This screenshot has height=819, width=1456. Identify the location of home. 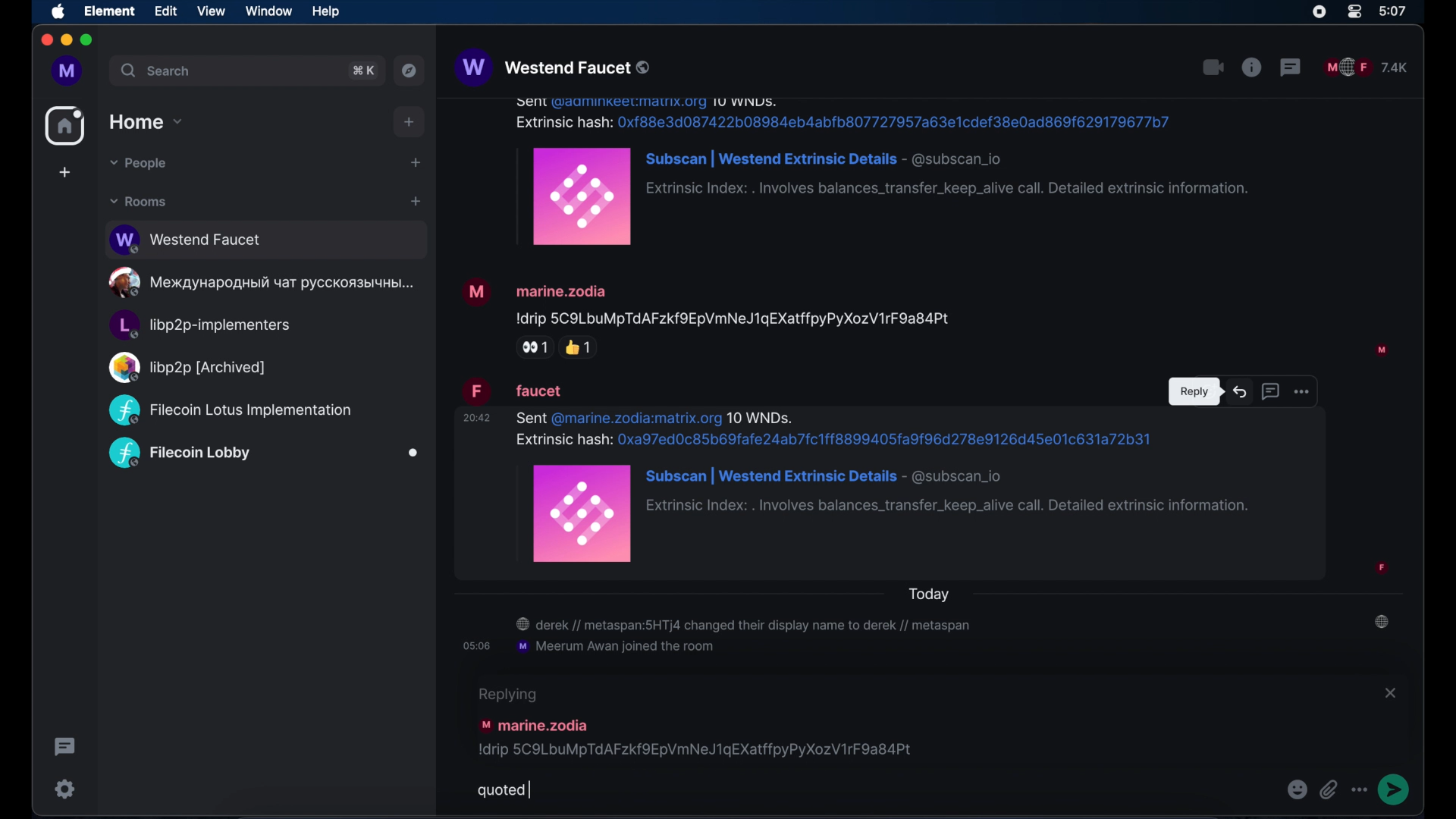
(64, 126).